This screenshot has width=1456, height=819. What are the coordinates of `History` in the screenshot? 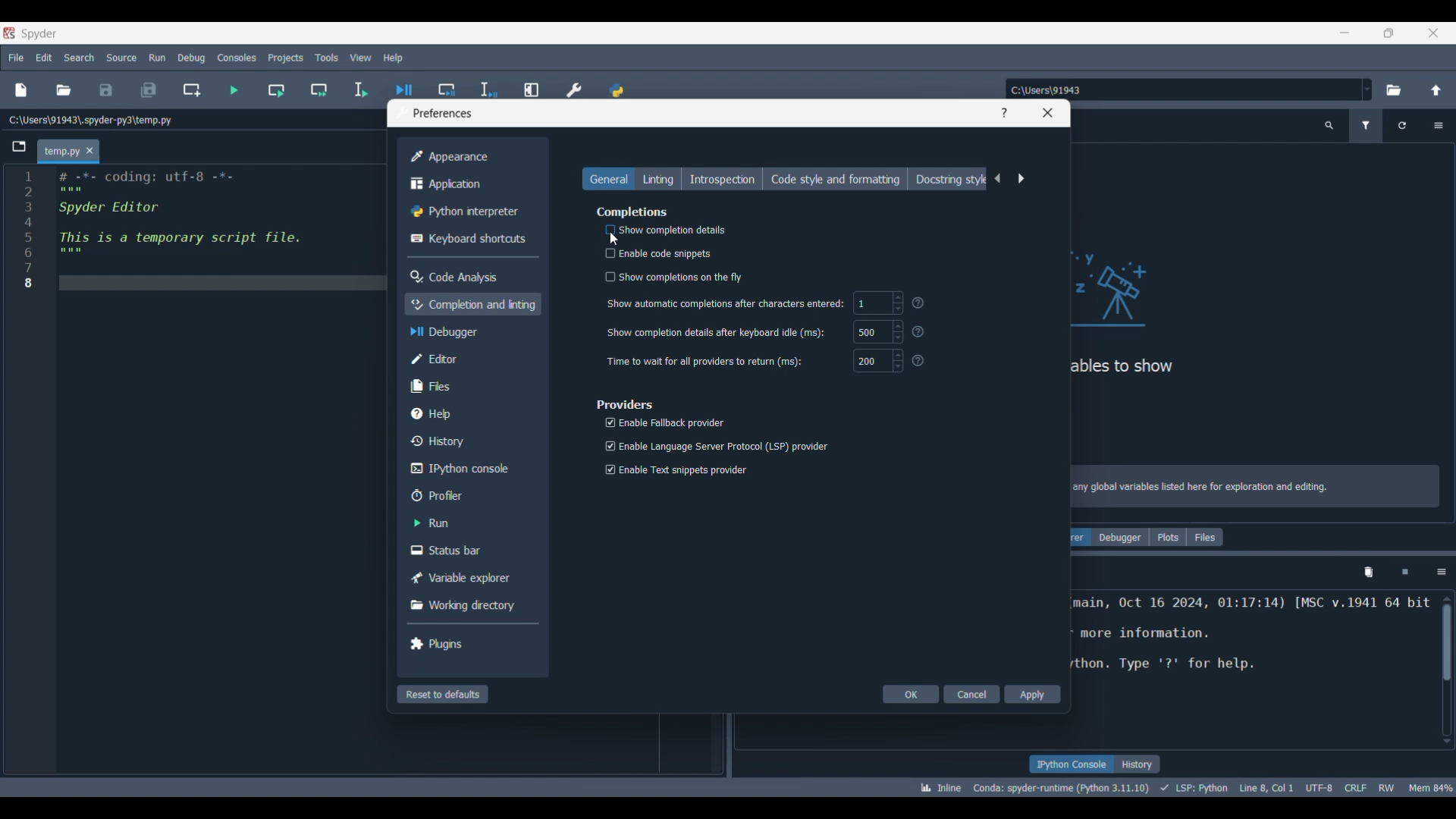 It's located at (1137, 764).